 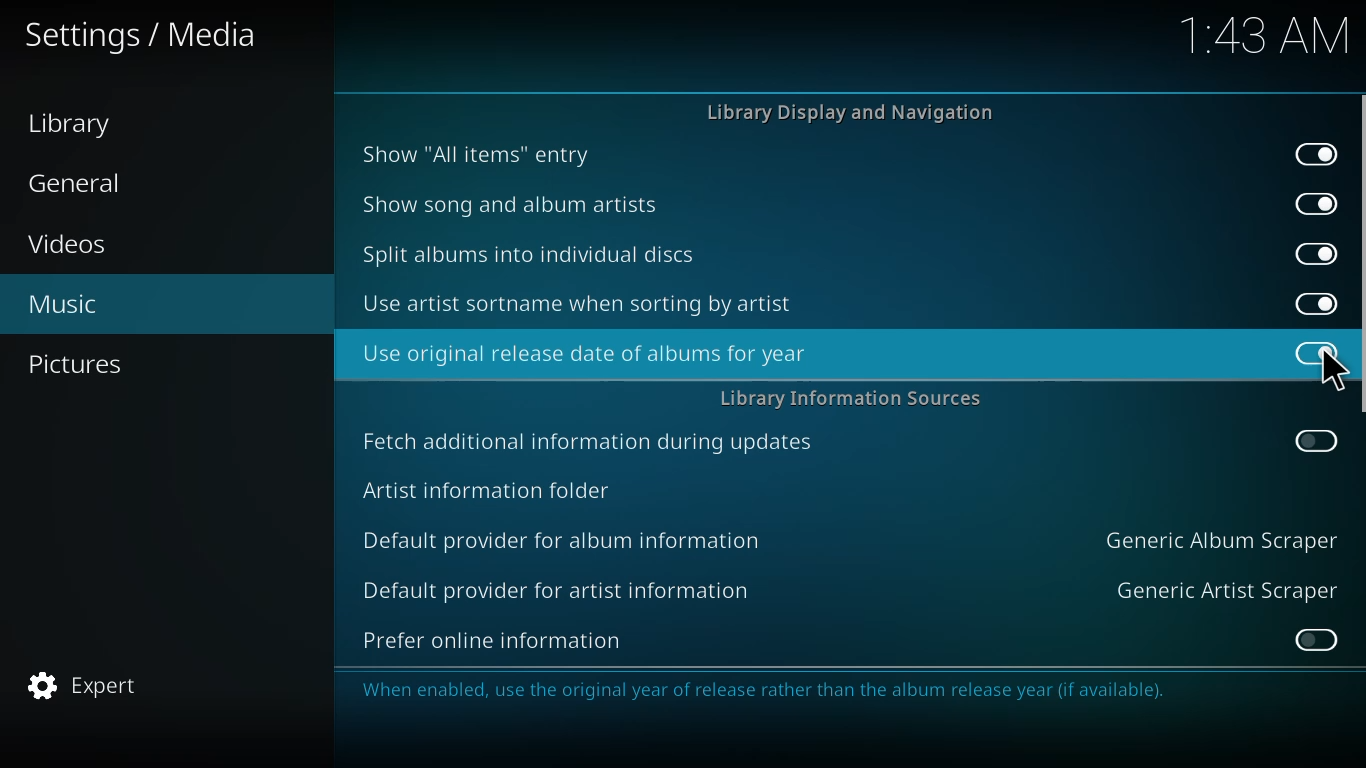 I want to click on pictures, so click(x=78, y=362).